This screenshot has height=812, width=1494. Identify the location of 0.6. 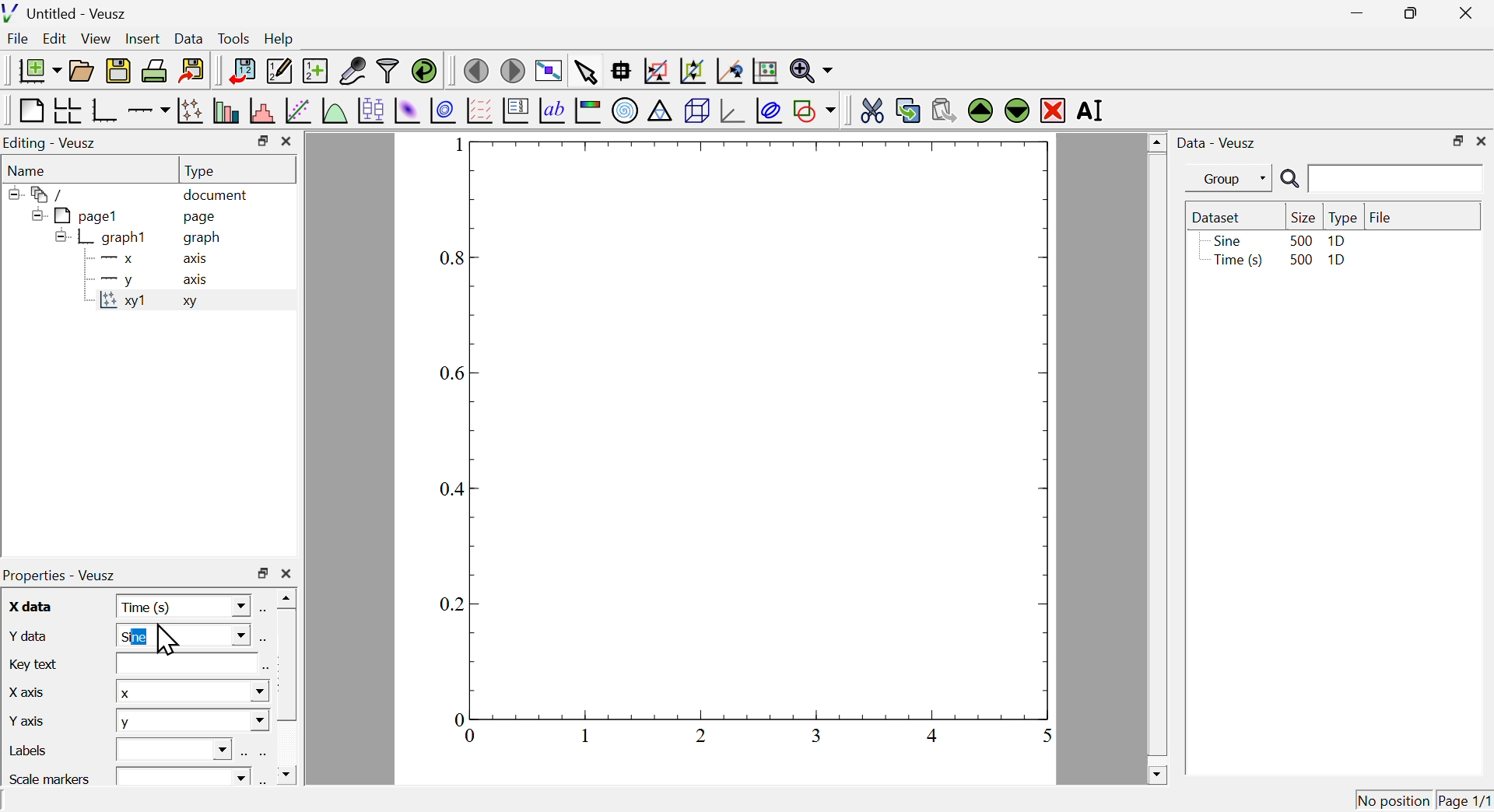
(819, 734).